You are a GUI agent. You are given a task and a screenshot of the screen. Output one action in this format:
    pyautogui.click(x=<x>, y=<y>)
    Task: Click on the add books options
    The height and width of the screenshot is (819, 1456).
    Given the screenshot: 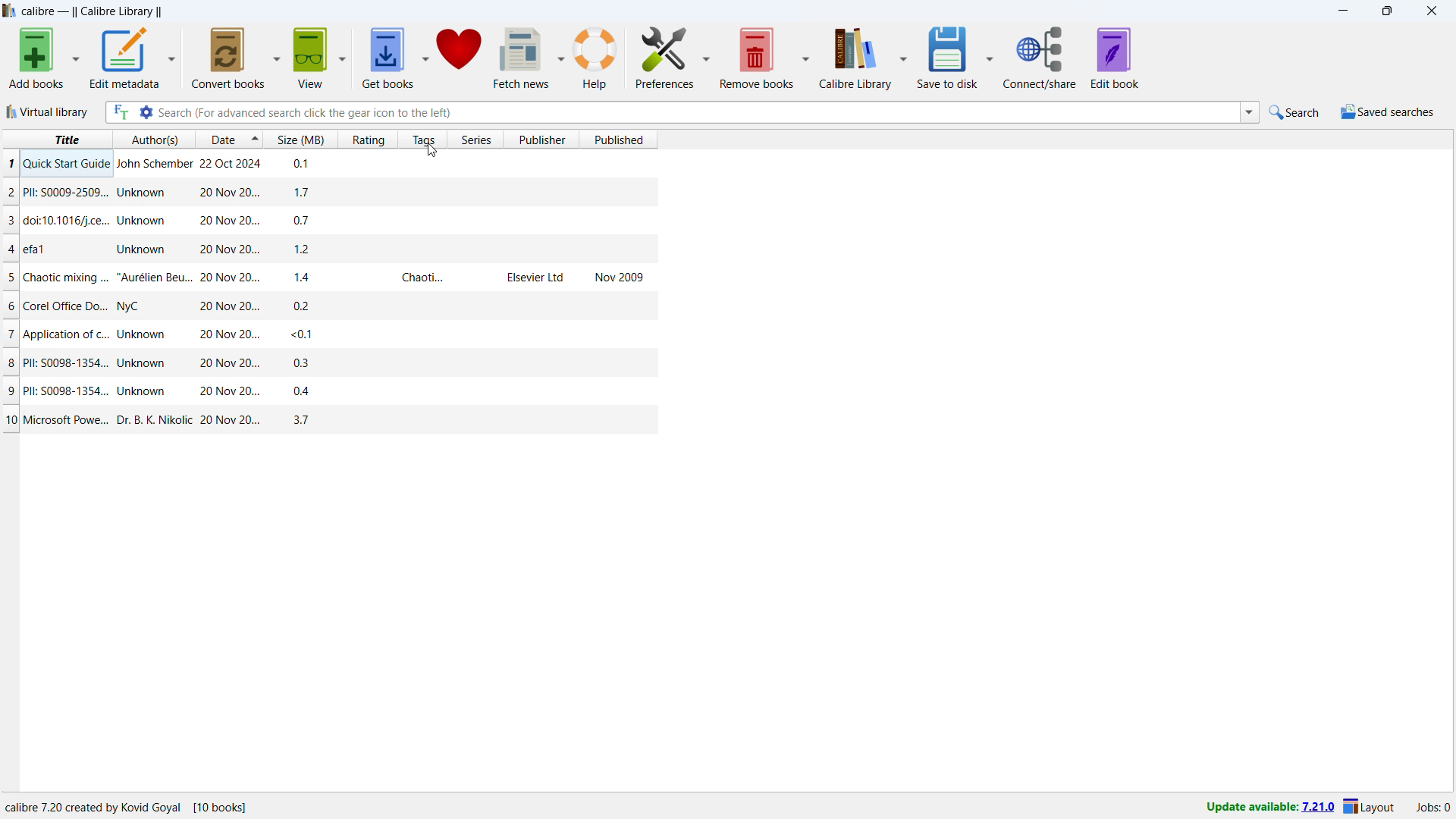 What is the action you would take?
    pyautogui.click(x=75, y=57)
    